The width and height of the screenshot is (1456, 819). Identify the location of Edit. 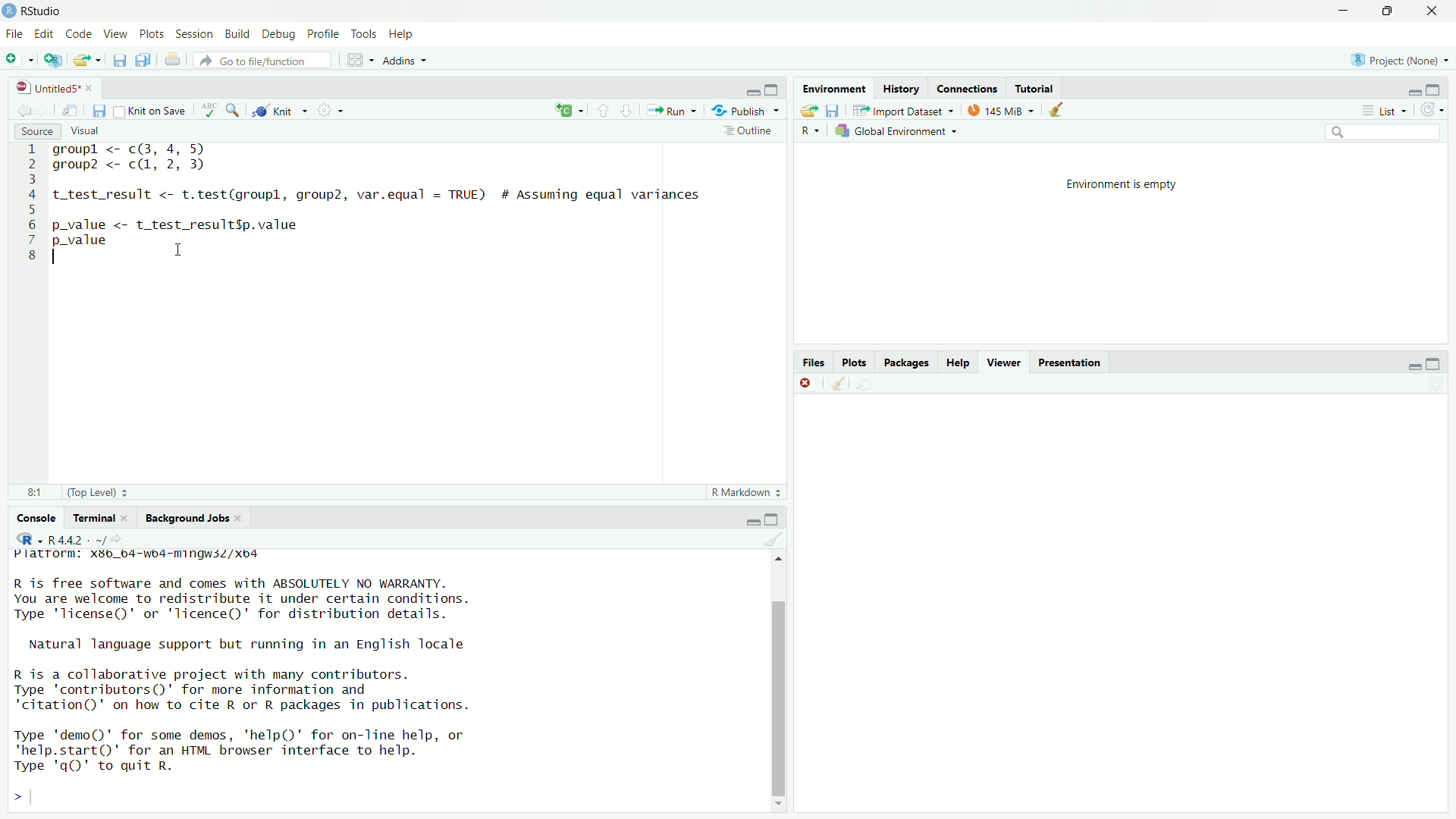
(46, 33).